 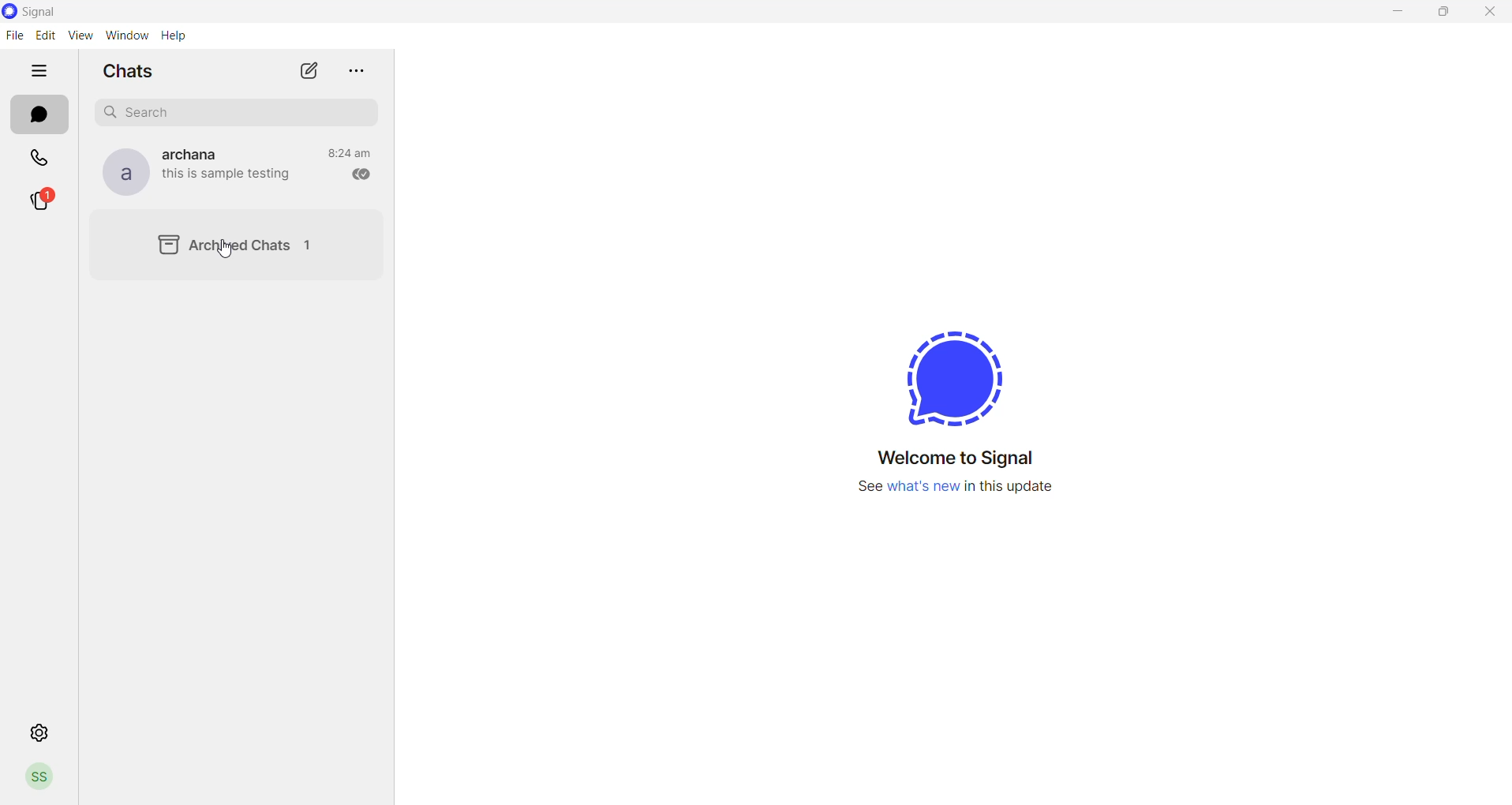 What do you see at coordinates (194, 153) in the screenshot?
I see `contact name` at bounding box center [194, 153].